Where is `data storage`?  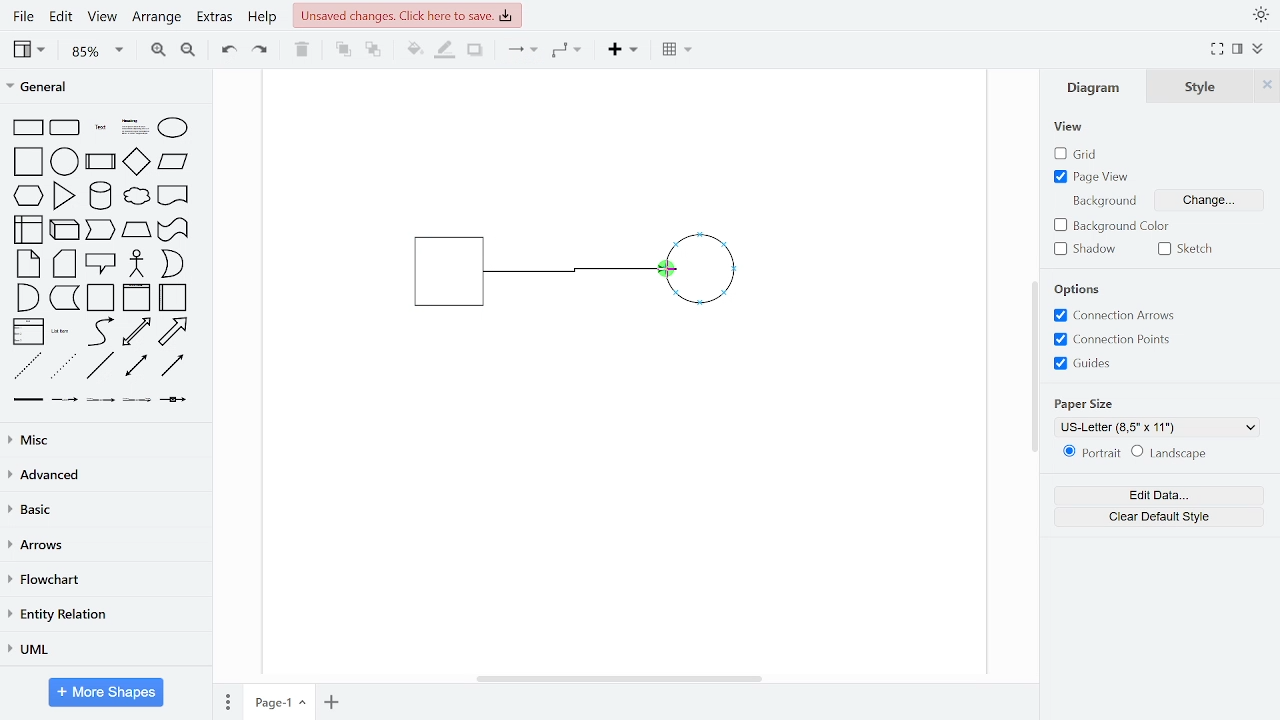
data storage is located at coordinates (65, 297).